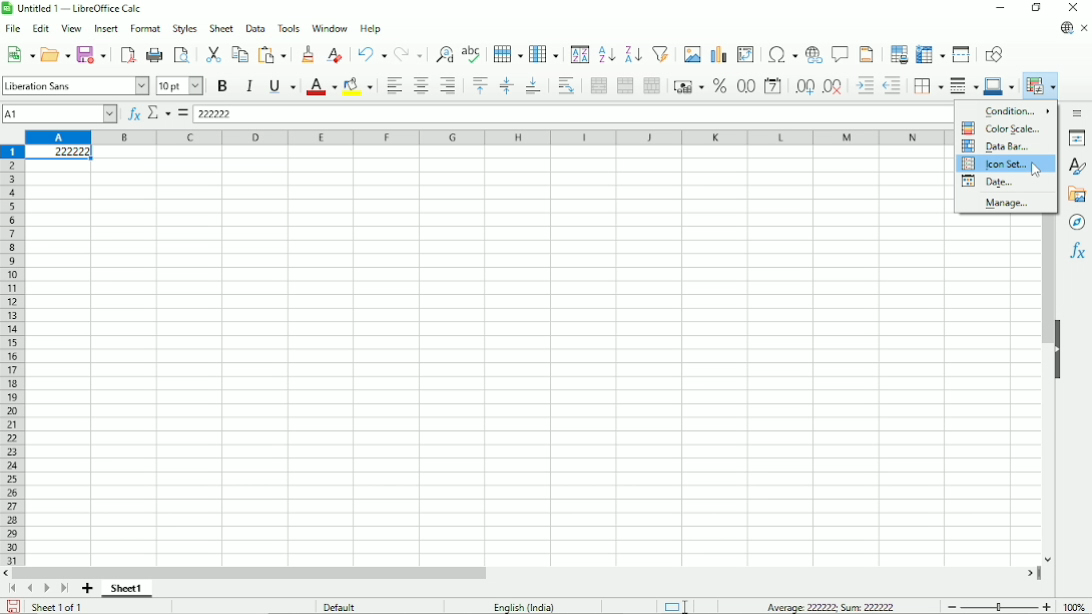 This screenshot has height=614, width=1092. I want to click on Row headings, so click(12, 355).